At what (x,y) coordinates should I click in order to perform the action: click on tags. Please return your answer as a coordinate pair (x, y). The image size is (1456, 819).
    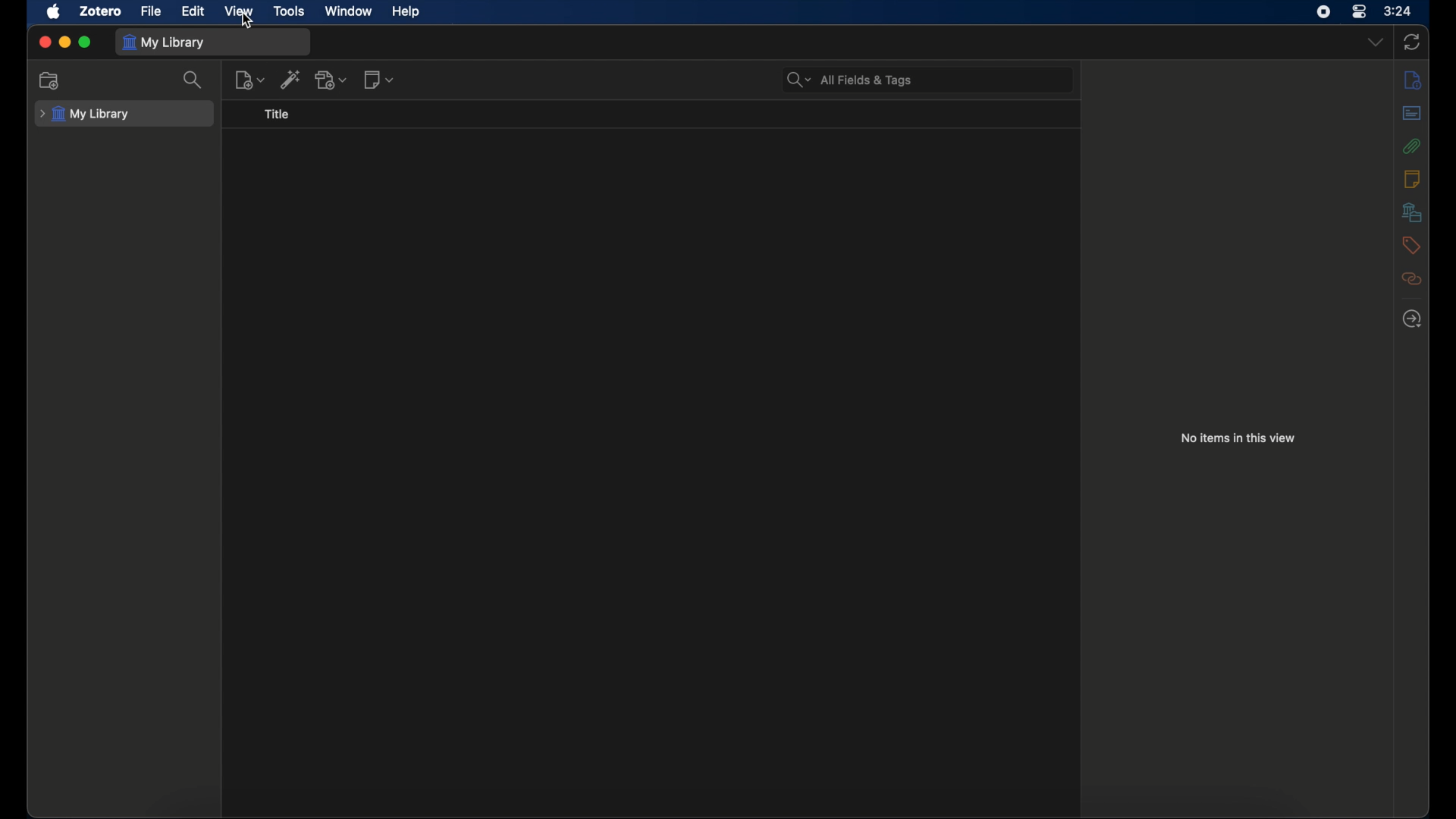
    Looking at the image, I should click on (1410, 245).